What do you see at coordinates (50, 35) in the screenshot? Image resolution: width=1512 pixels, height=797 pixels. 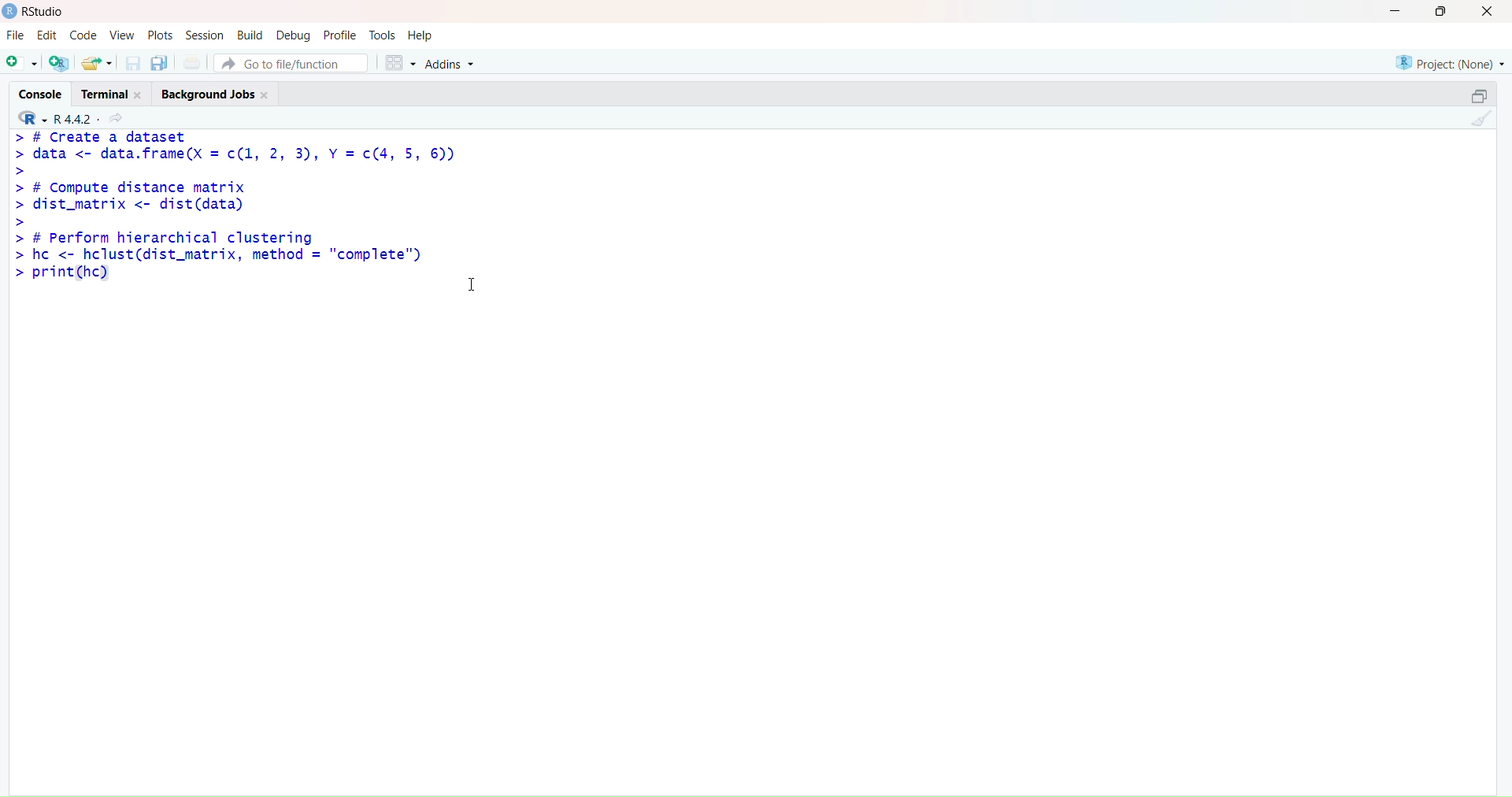 I see `Edit` at bounding box center [50, 35].